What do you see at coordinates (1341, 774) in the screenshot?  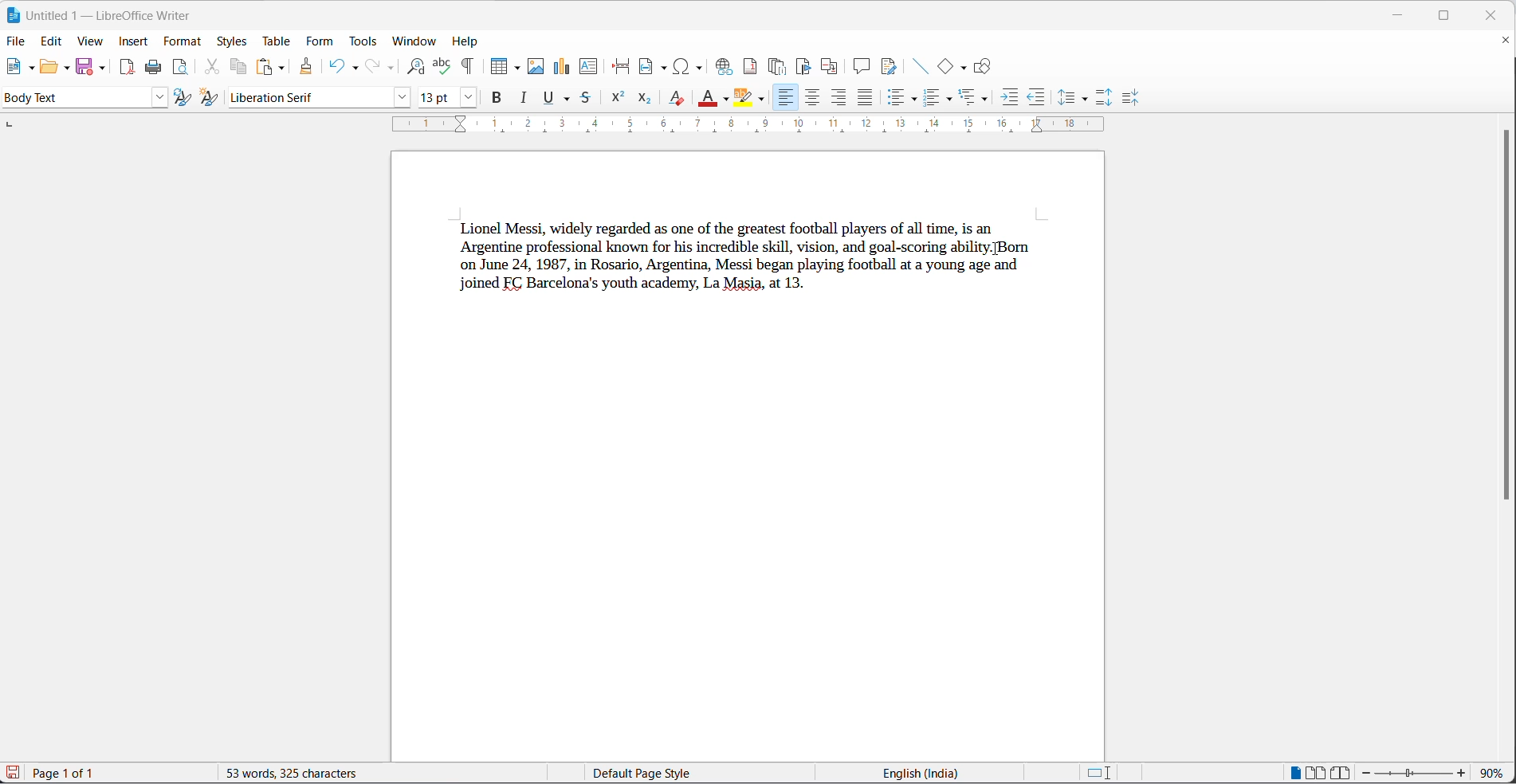 I see `book view` at bounding box center [1341, 774].